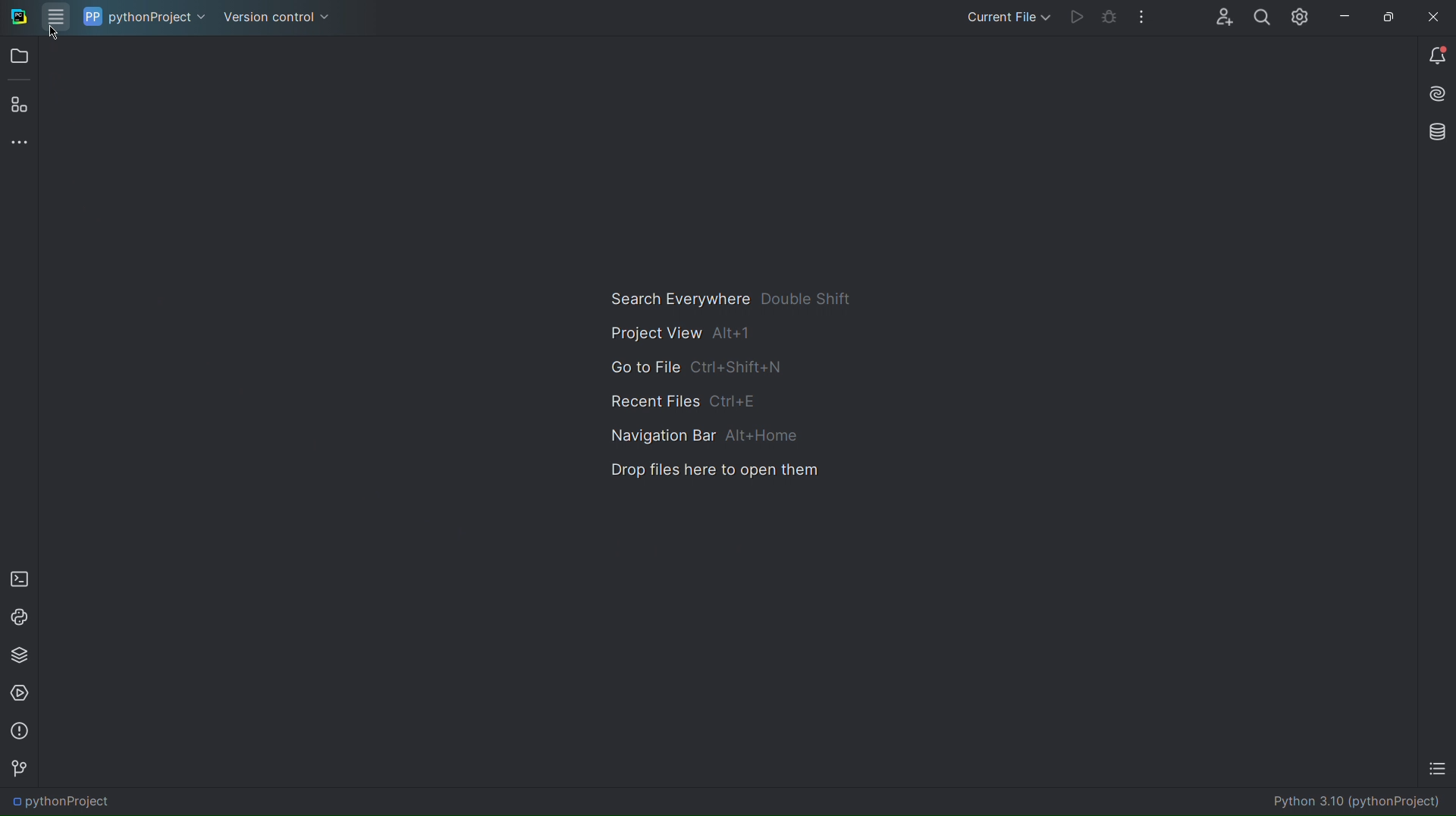 This screenshot has height=816, width=1456. Describe the element at coordinates (144, 17) in the screenshot. I see `pythonProject` at that location.